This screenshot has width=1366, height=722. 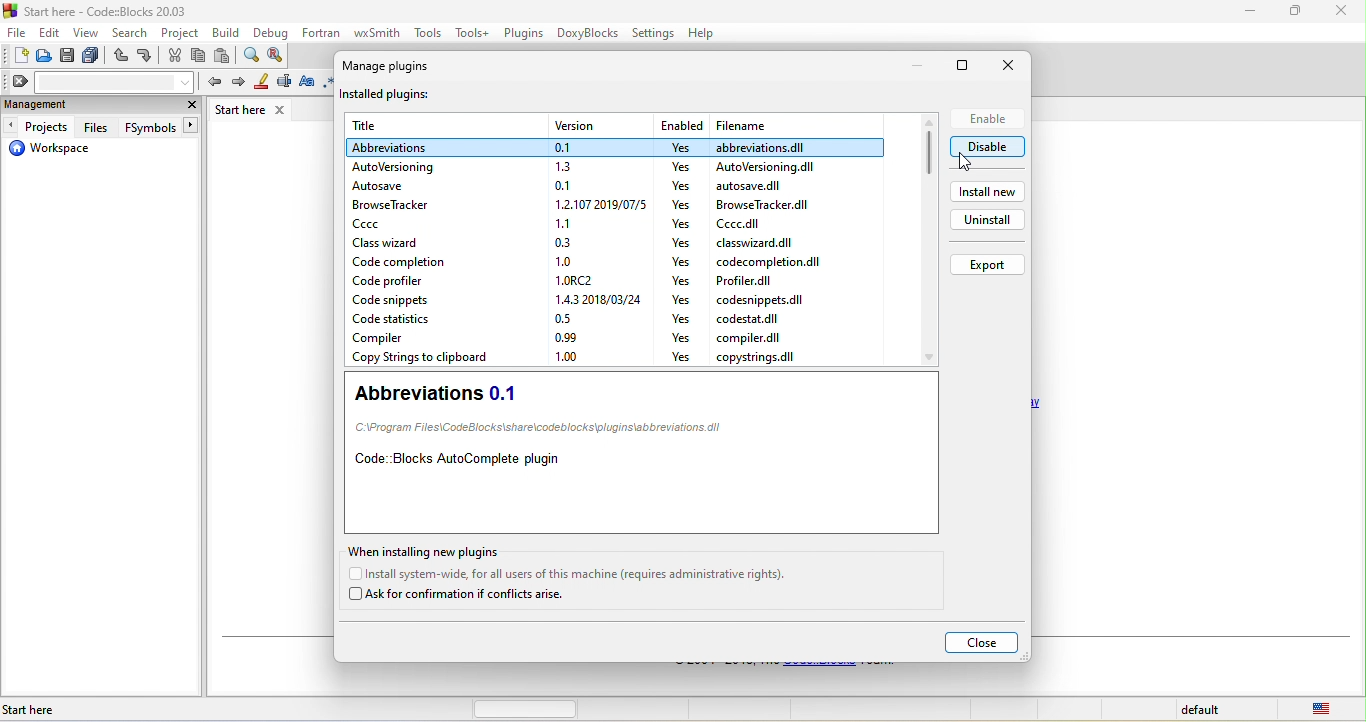 I want to click on close, so click(x=984, y=643).